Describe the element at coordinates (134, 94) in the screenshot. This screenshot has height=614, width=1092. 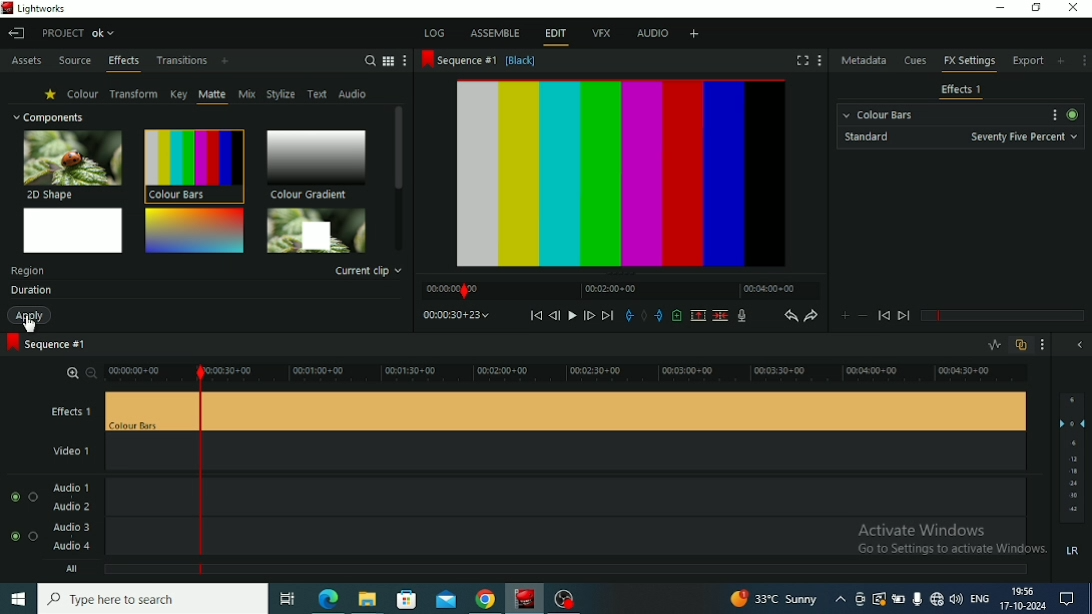
I see `Transform` at that location.